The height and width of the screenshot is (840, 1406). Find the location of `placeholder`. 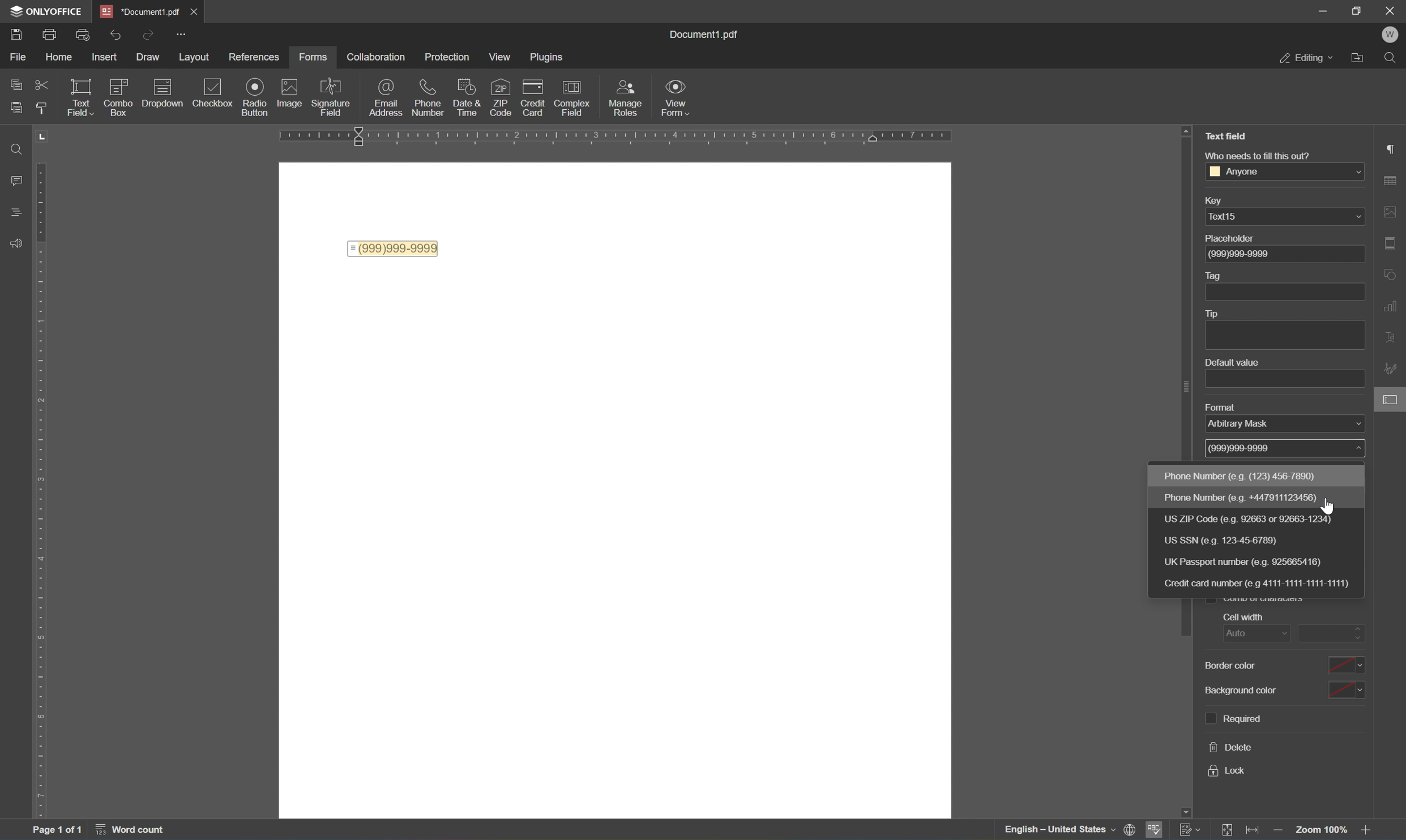

placeholder is located at coordinates (1235, 239).